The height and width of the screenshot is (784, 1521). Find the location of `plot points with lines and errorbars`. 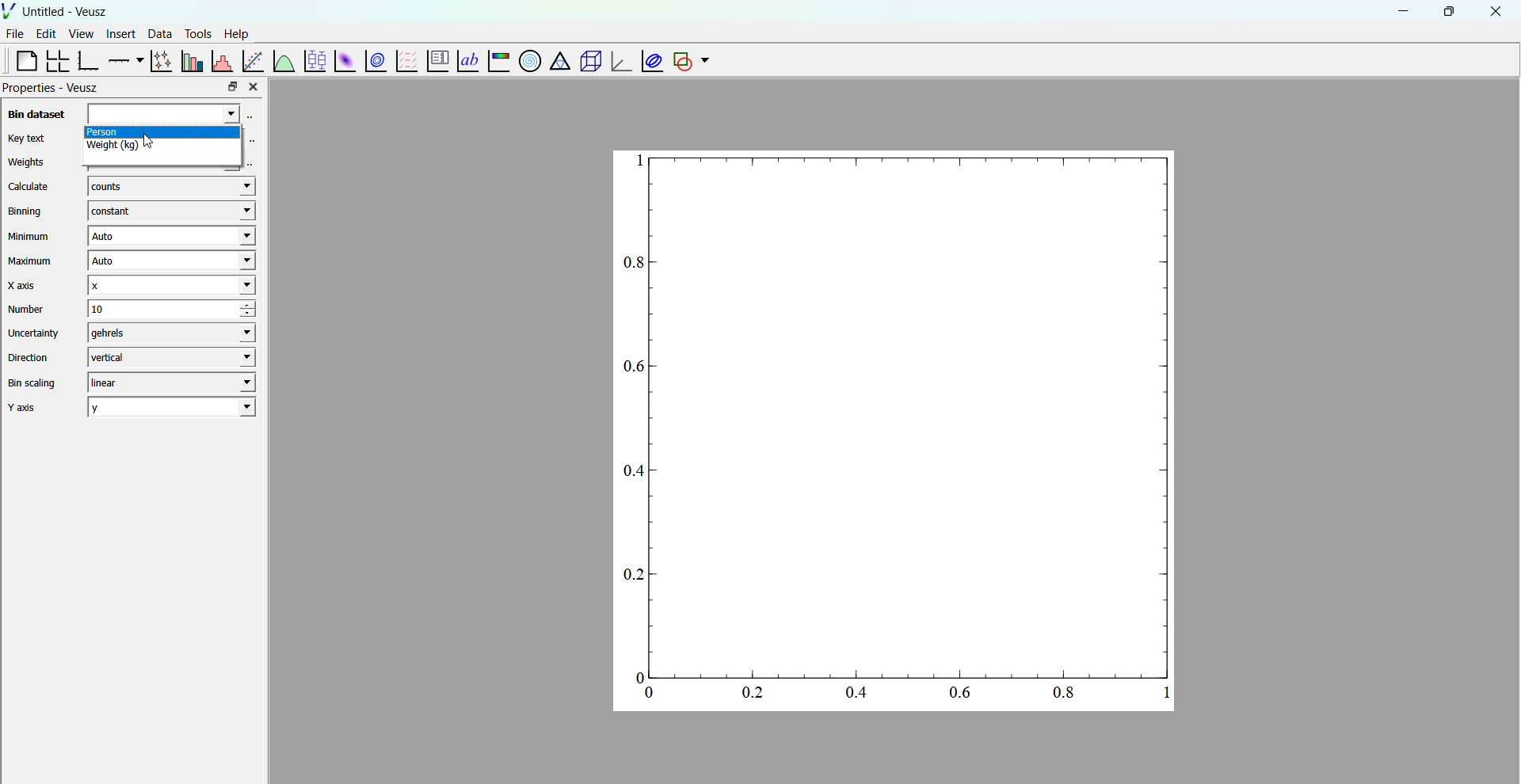

plot points with lines and errorbars is located at coordinates (159, 61).